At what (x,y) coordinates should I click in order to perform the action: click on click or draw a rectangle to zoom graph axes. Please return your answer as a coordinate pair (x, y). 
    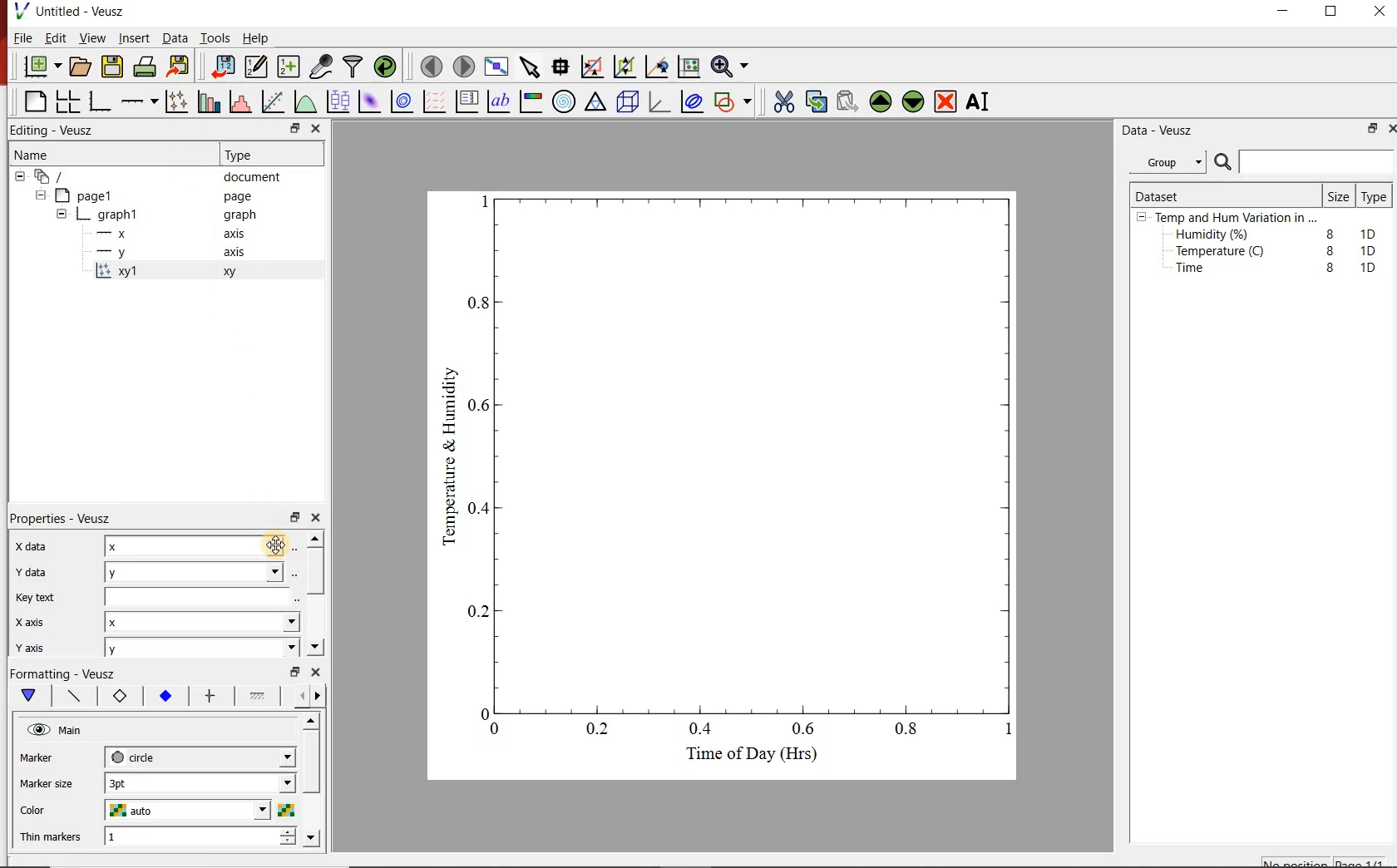
    Looking at the image, I should click on (595, 67).